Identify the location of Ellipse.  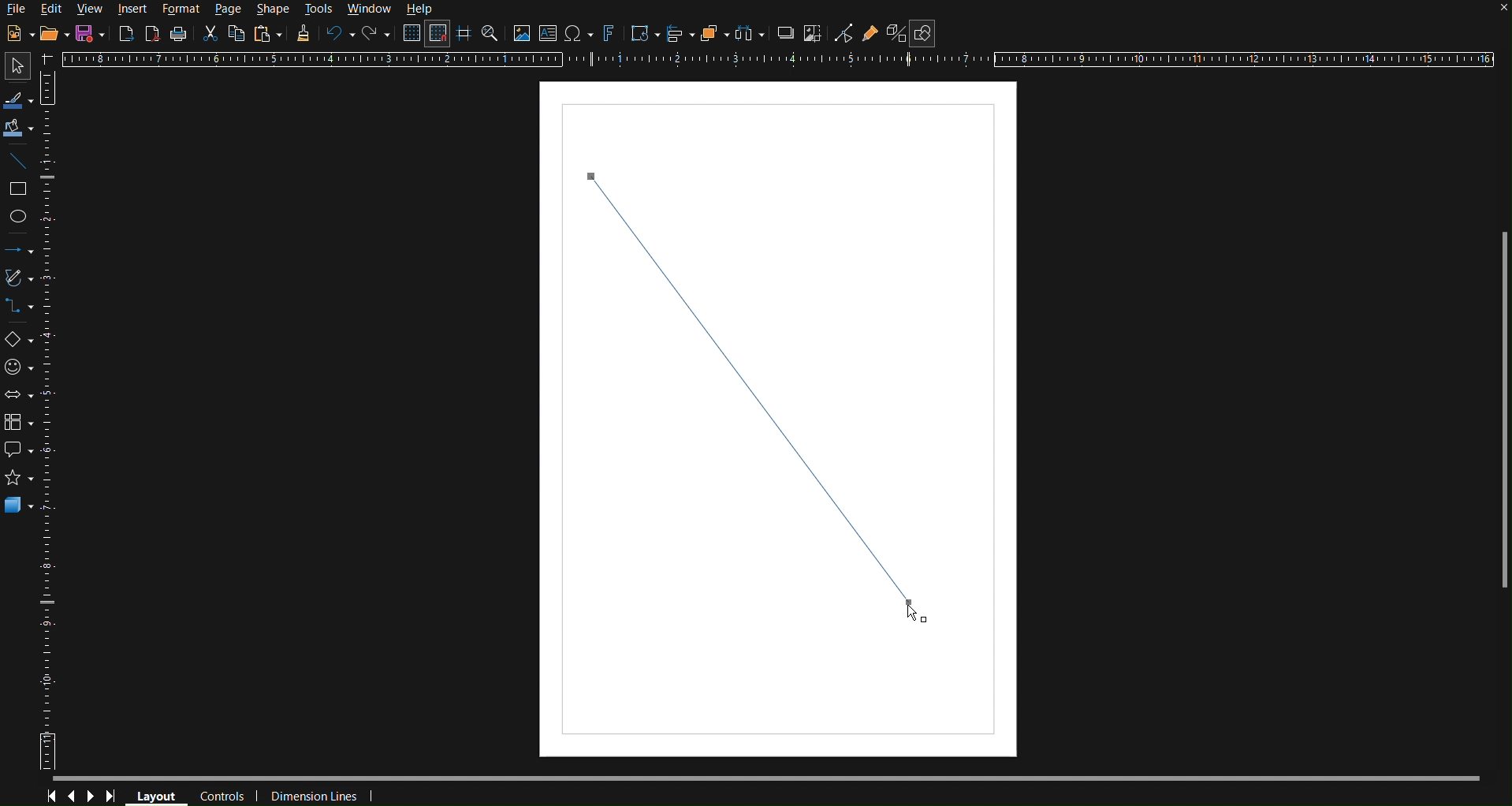
(19, 215).